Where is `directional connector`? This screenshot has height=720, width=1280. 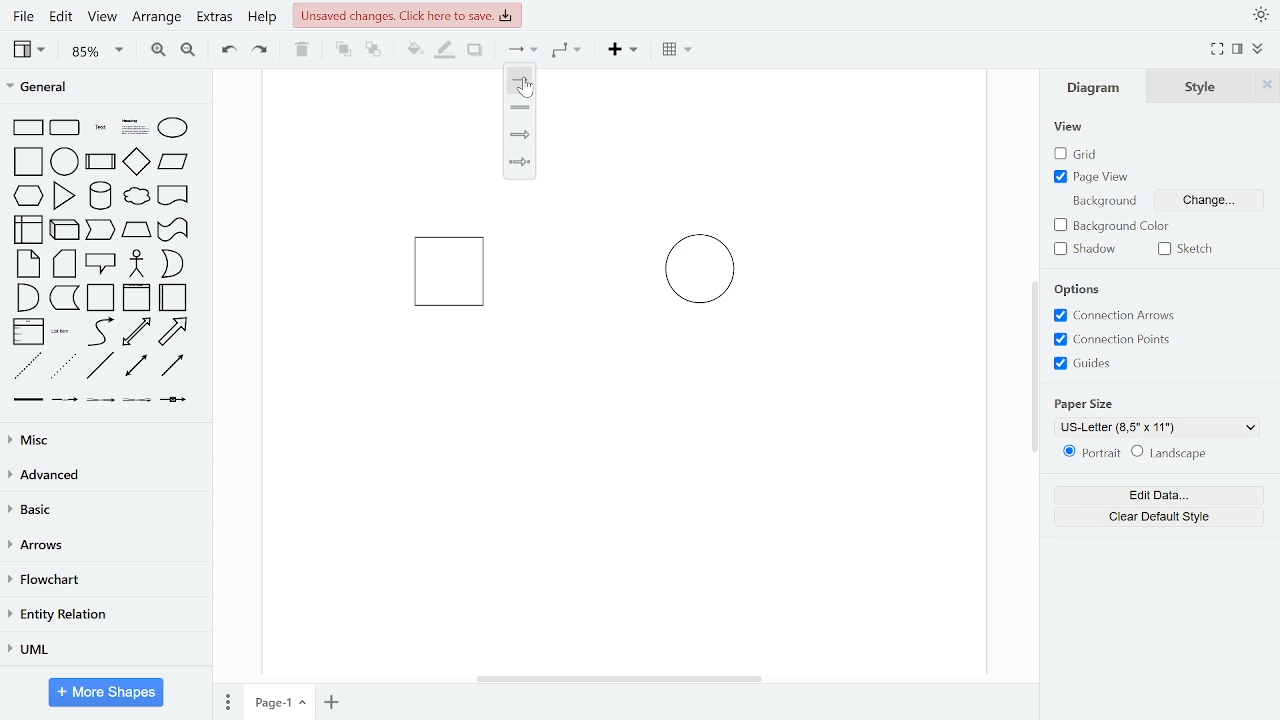
directional connector is located at coordinates (172, 365).